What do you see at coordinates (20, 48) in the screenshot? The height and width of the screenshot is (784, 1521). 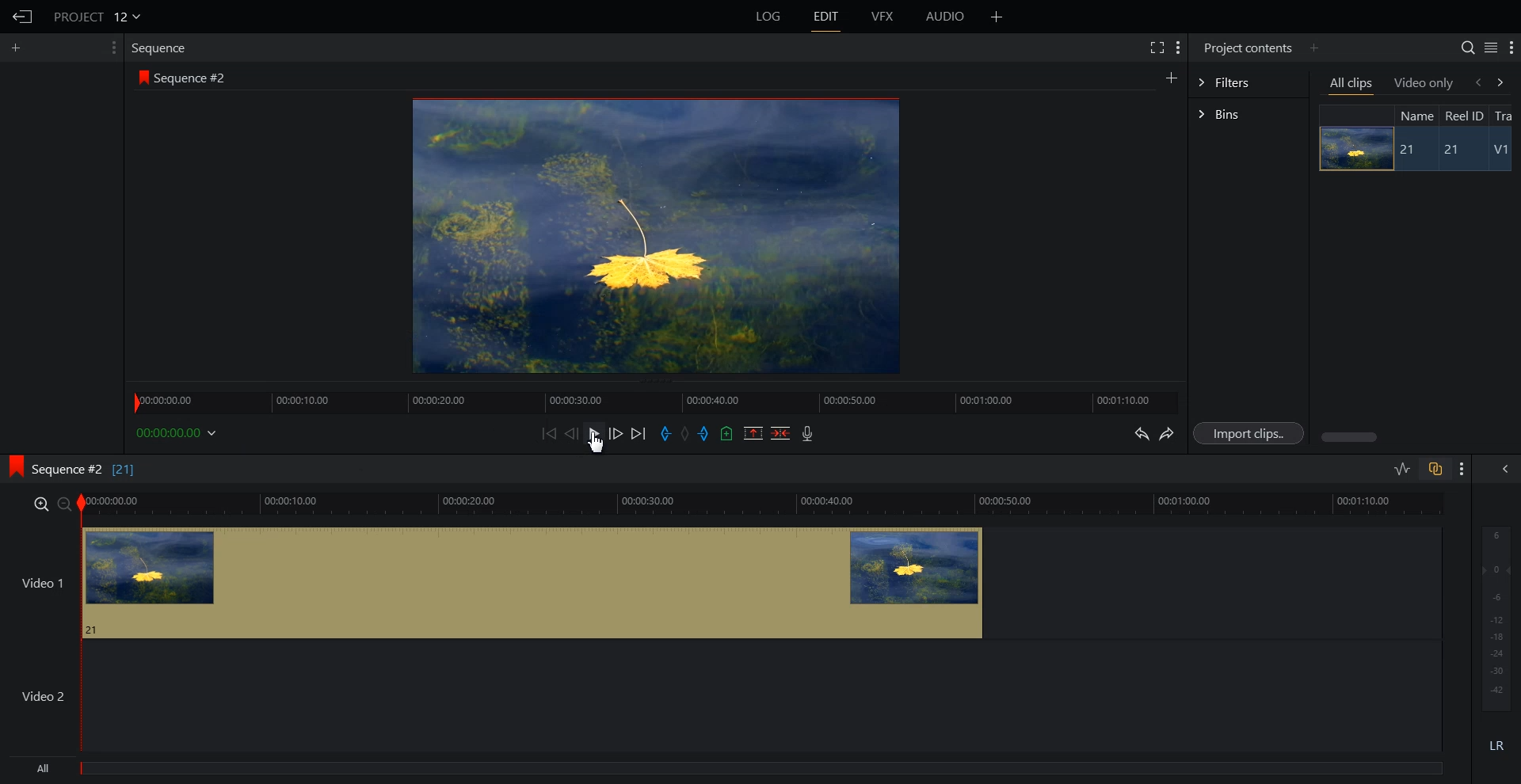 I see `Add panel` at bounding box center [20, 48].